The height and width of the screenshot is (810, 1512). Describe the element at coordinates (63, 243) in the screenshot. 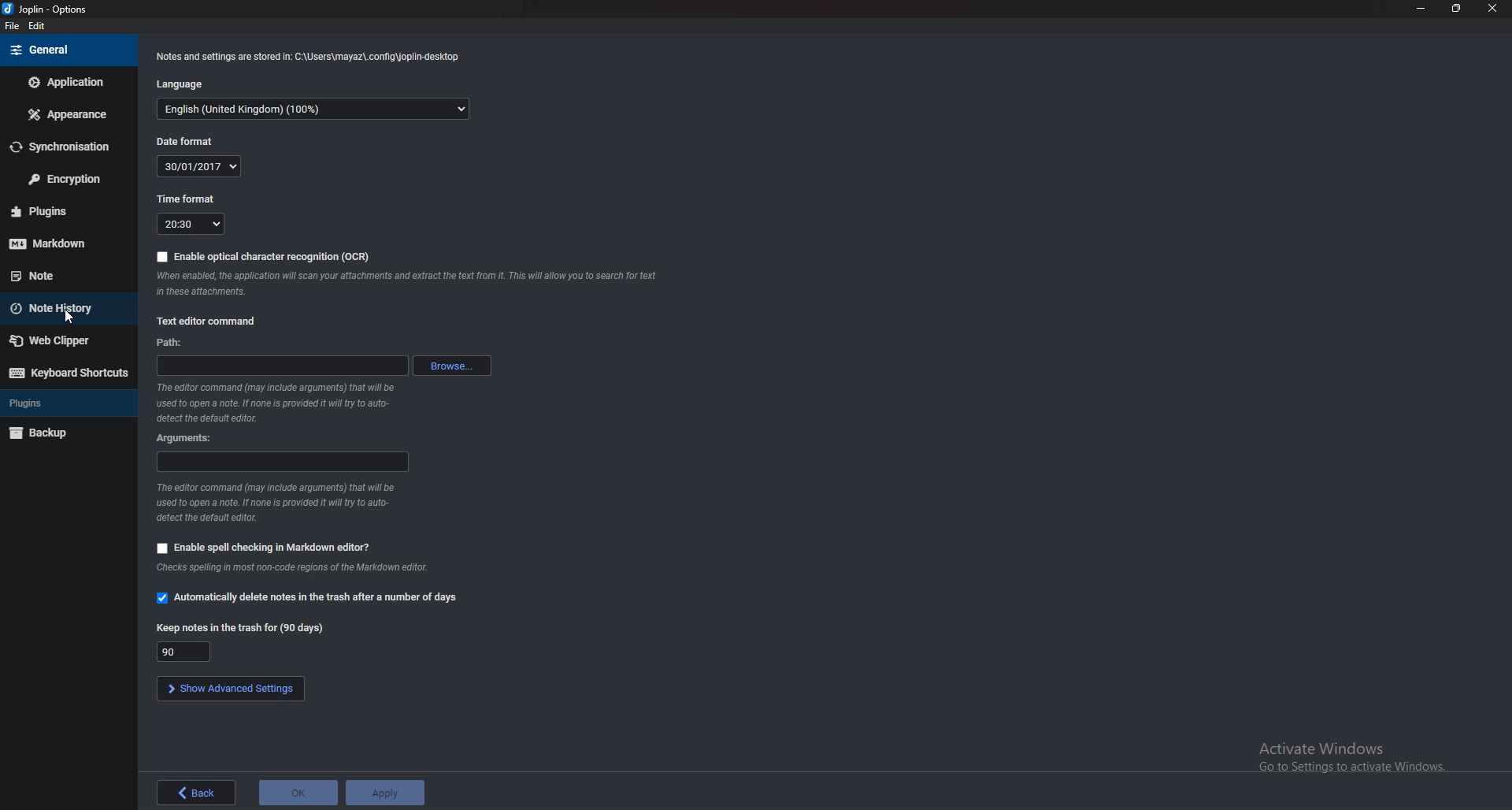

I see `mark down` at that location.